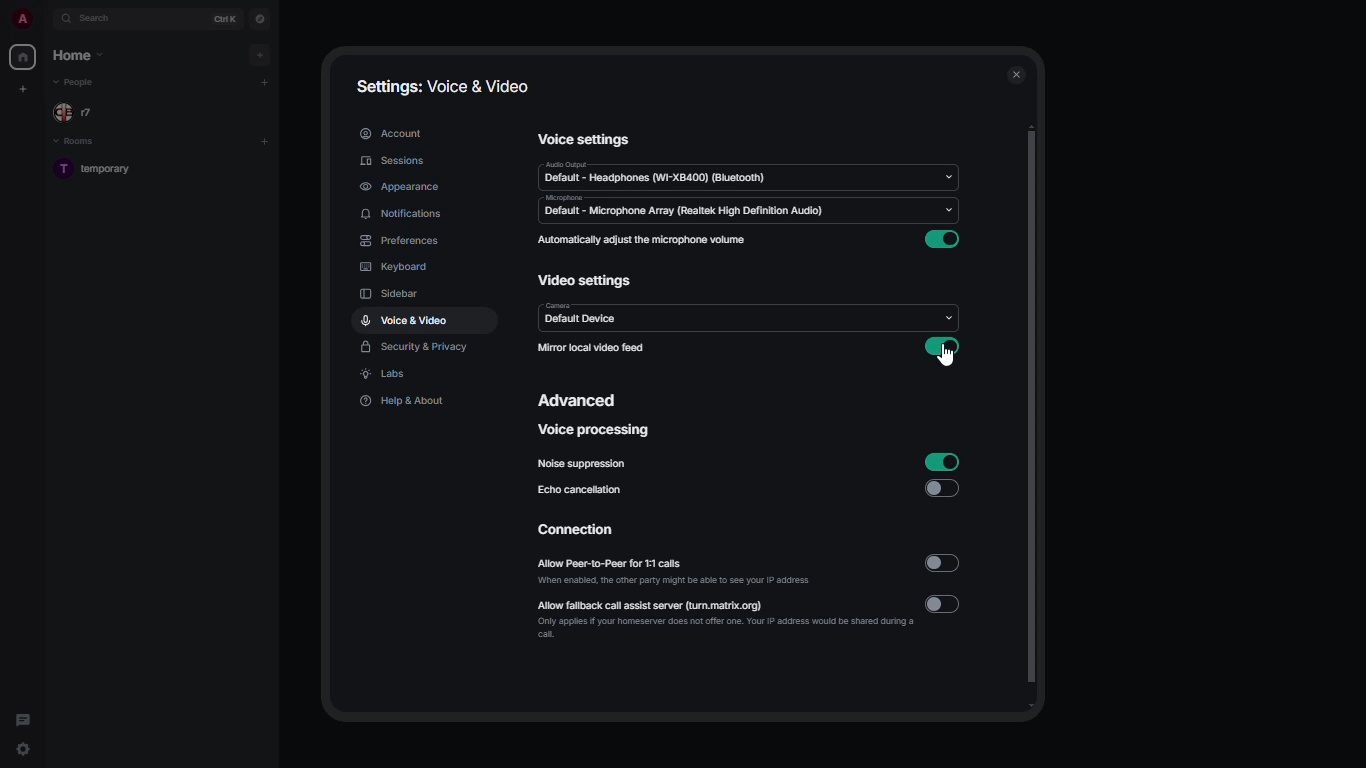 The height and width of the screenshot is (768, 1366). I want to click on mirror local video feed, so click(591, 347).